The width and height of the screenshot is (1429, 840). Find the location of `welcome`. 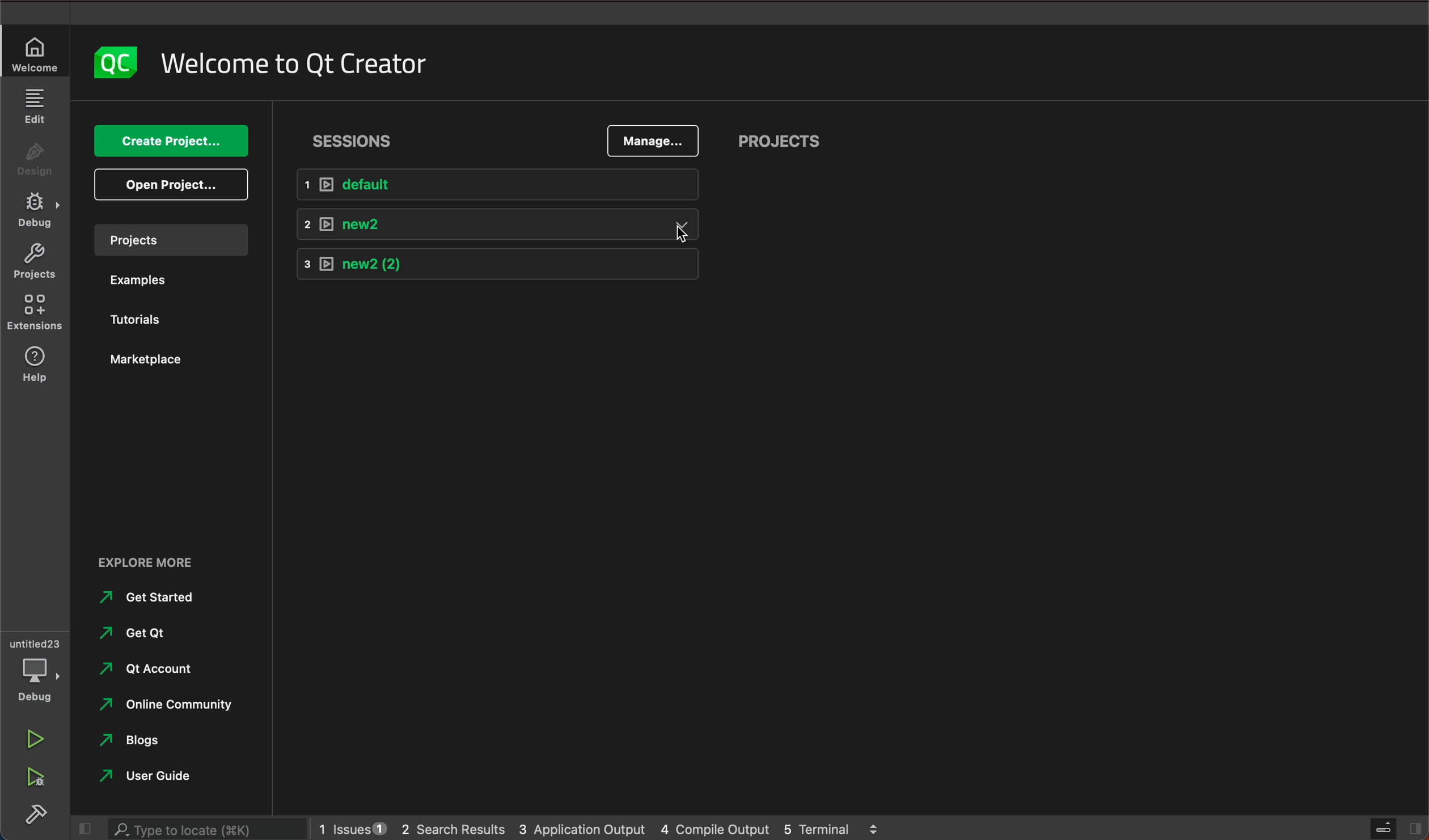

welcome is located at coordinates (302, 63).